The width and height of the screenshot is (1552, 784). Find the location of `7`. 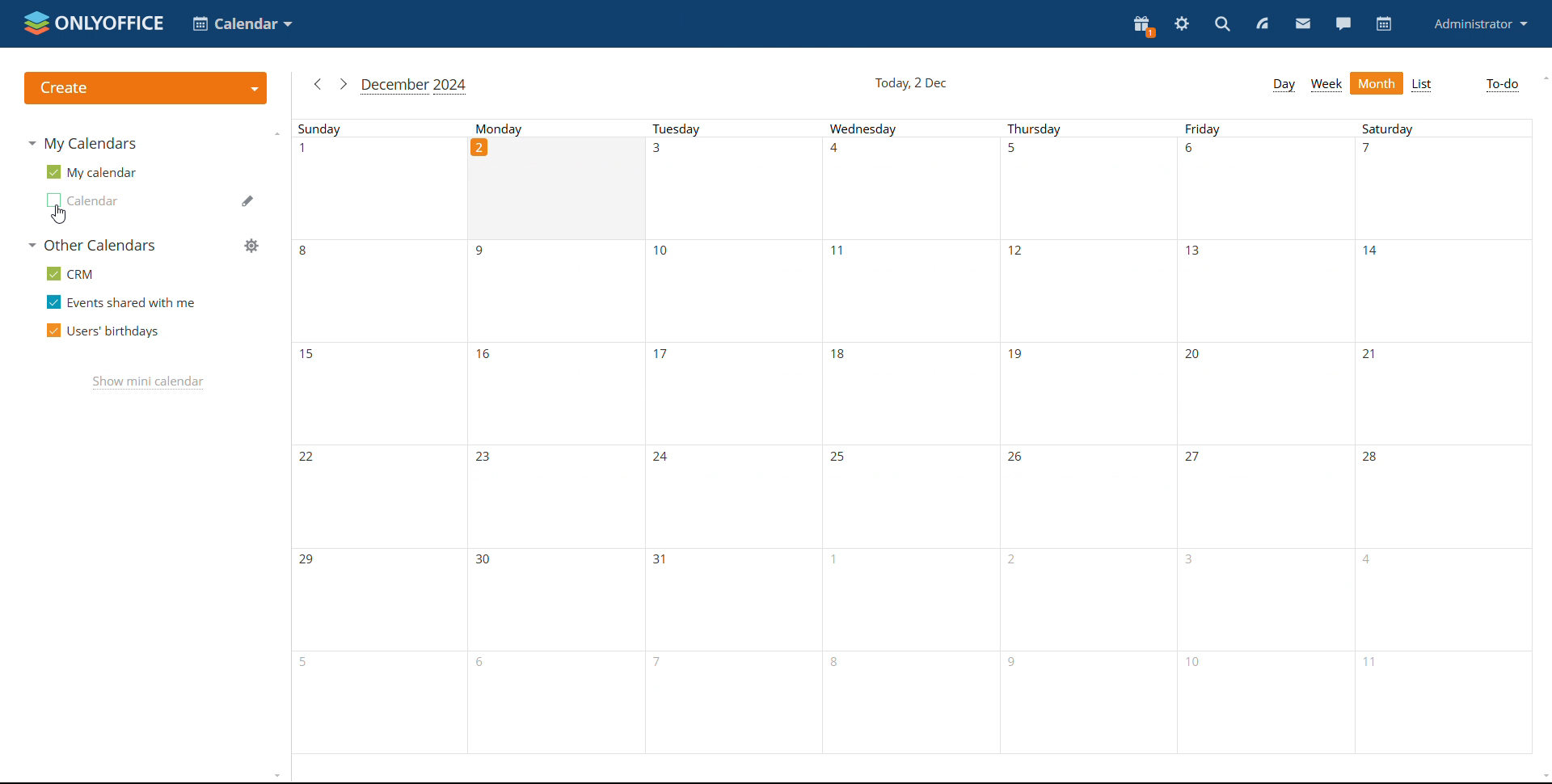

7 is located at coordinates (726, 704).